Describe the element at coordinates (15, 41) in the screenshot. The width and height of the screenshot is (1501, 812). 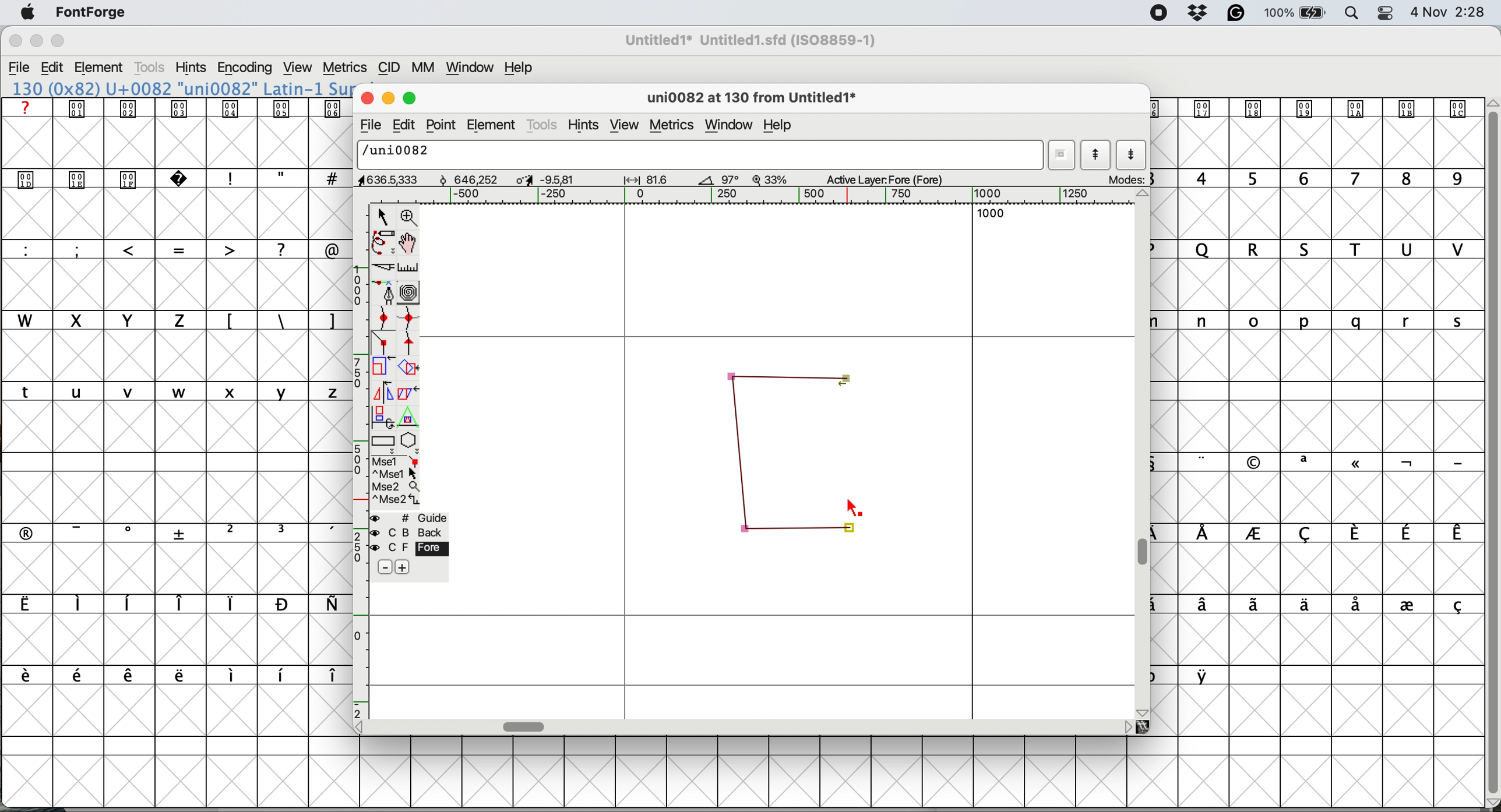
I see `close` at that location.